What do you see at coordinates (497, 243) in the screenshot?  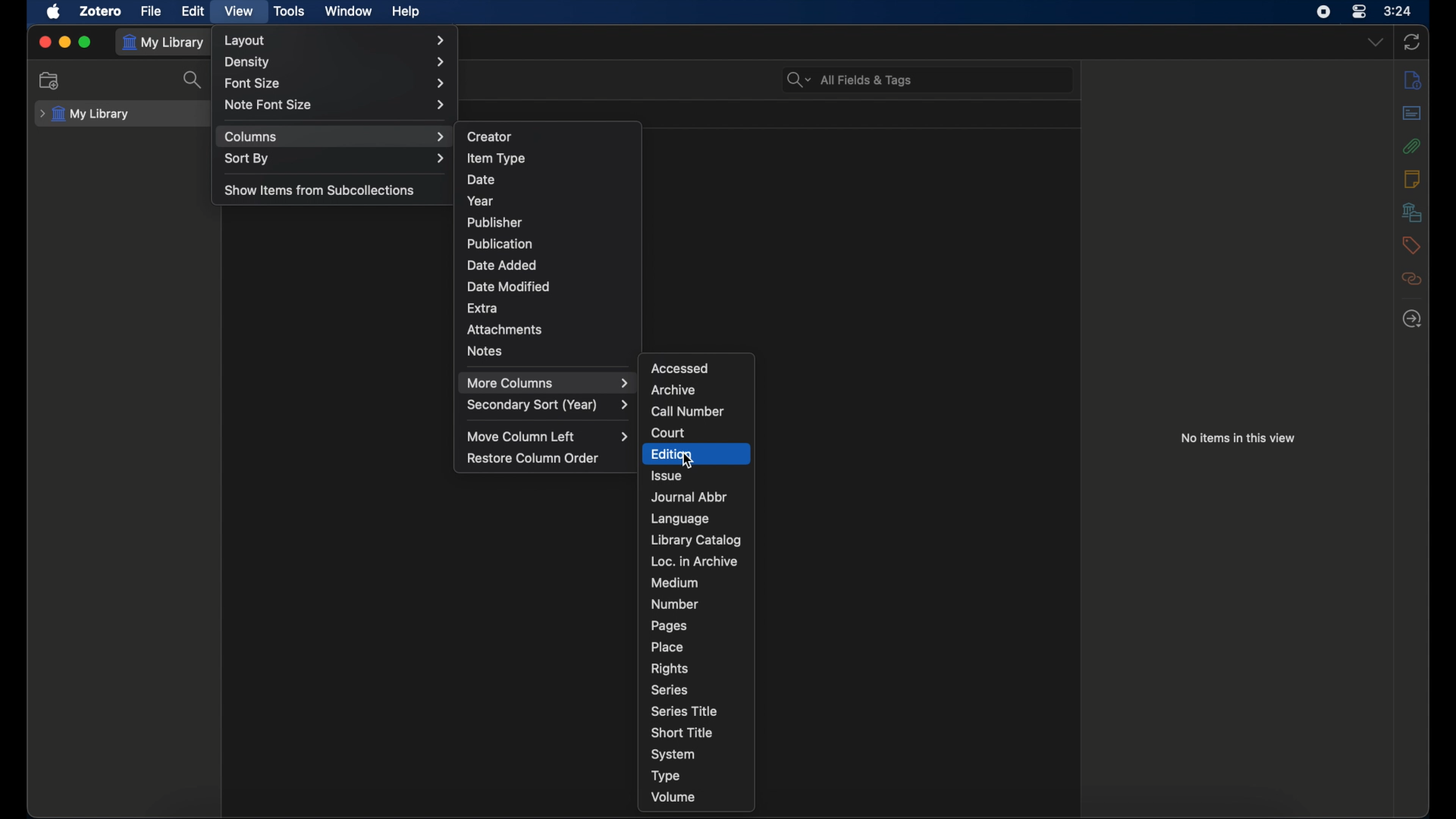 I see `publication` at bounding box center [497, 243].